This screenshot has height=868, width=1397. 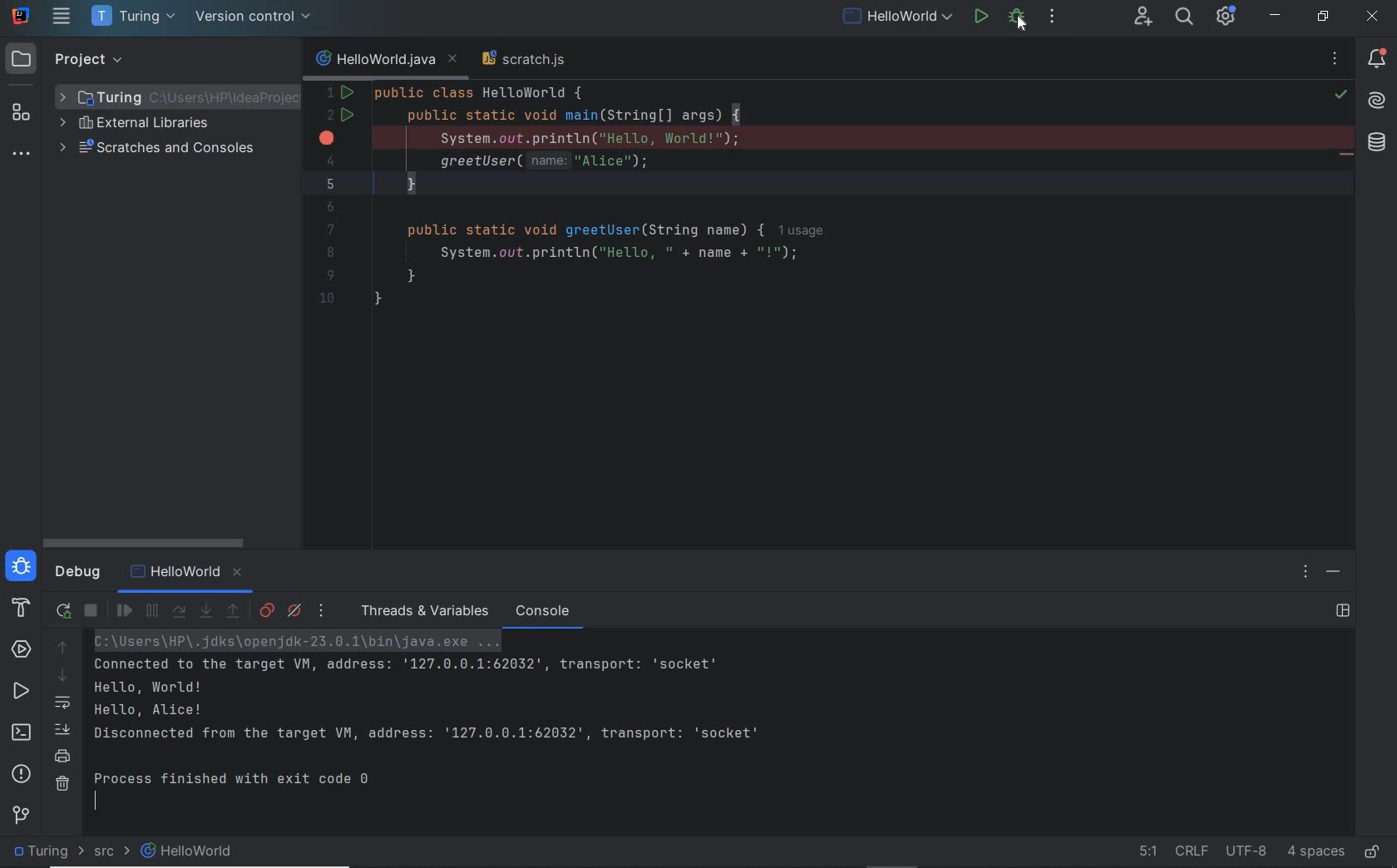 What do you see at coordinates (22, 774) in the screenshot?
I see `problems` at bounding box center [22, 774].